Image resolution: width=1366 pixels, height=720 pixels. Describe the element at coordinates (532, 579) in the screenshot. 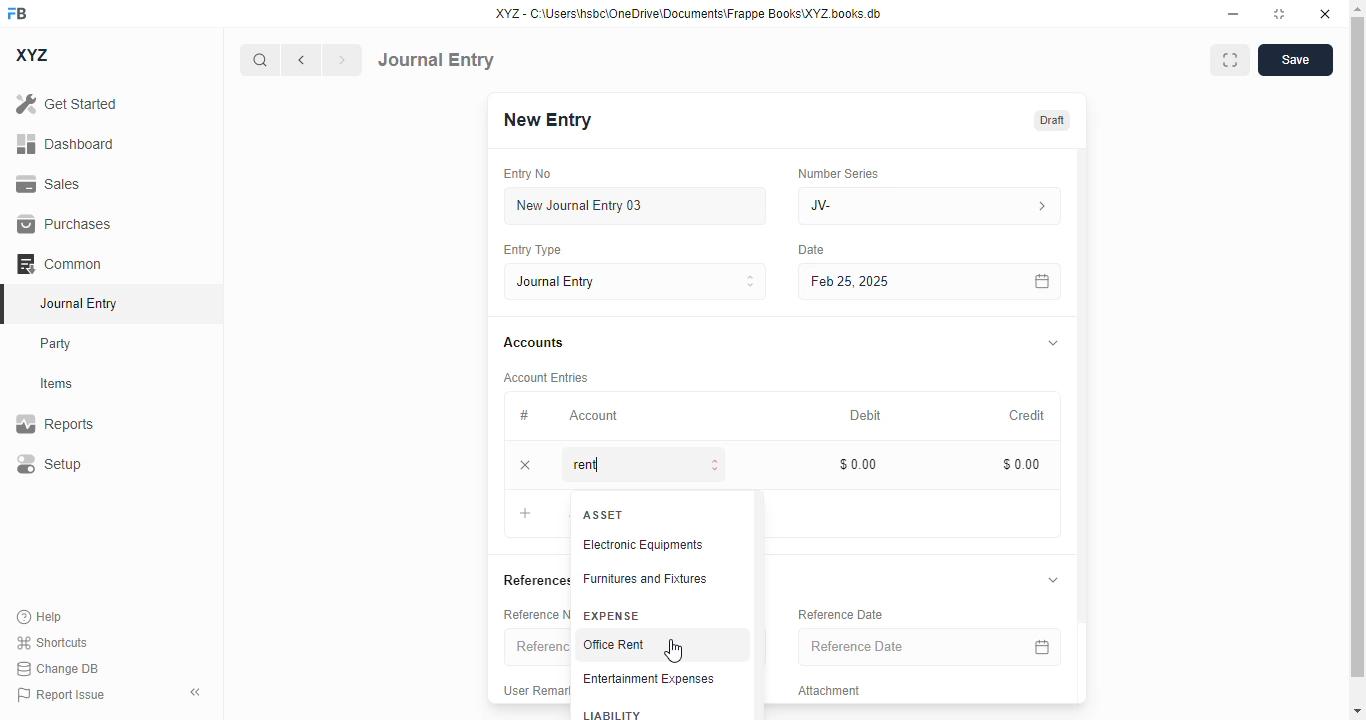

I see `references` at that location.